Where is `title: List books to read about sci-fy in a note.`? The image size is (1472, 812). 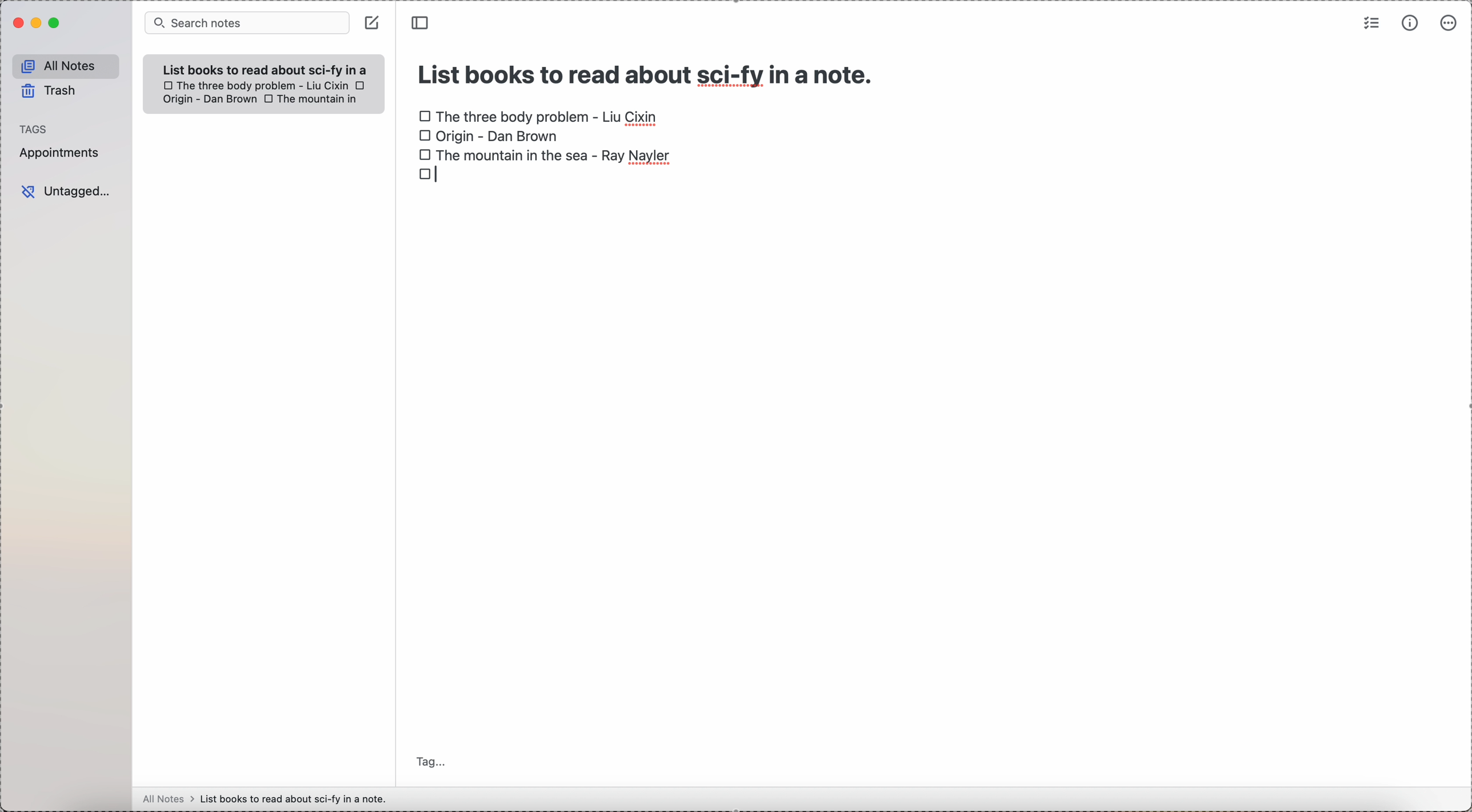
title: List books to read about sci-fy in a note. is located at coordinates (648, 71).